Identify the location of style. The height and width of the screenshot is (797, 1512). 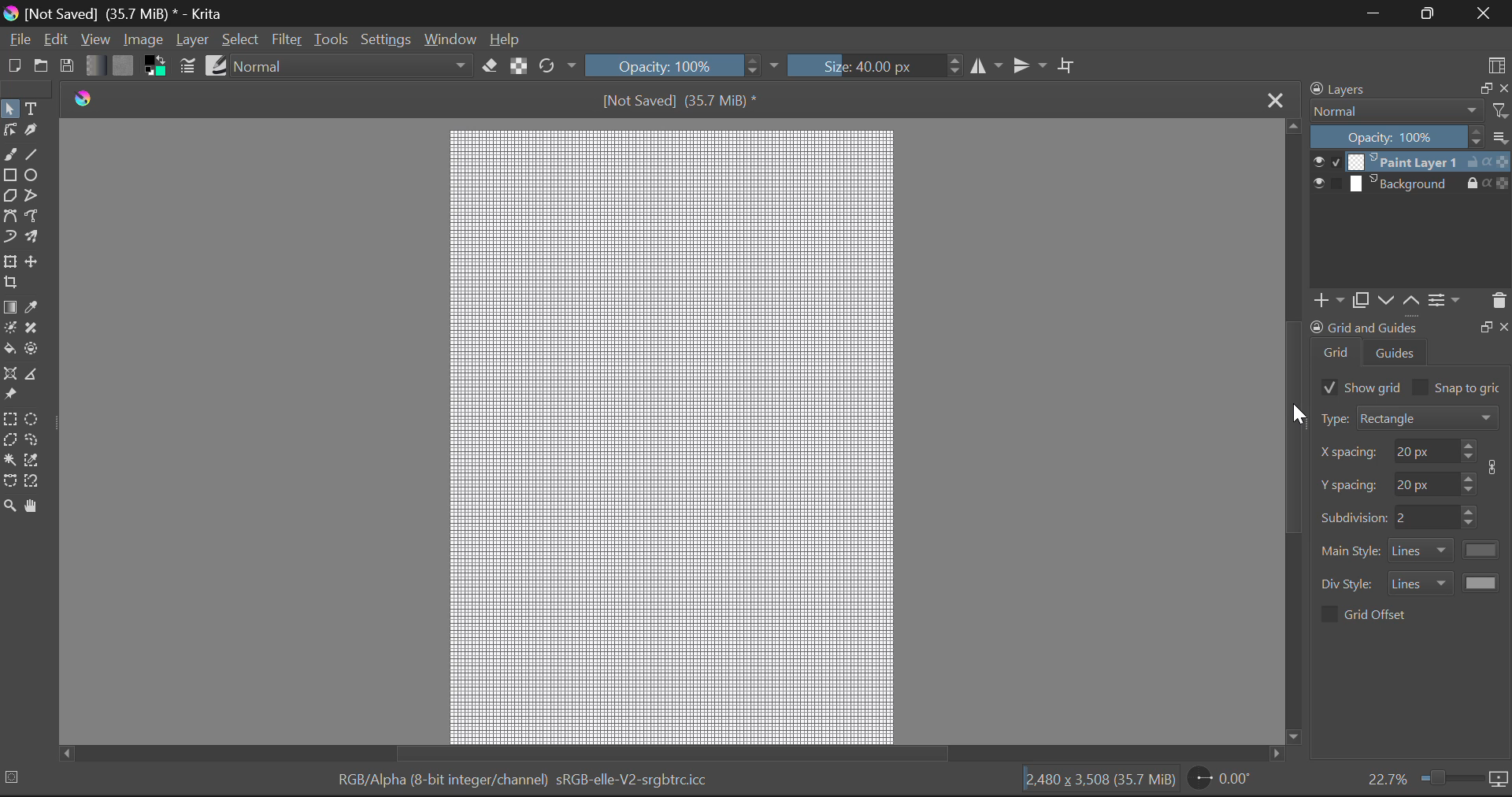
(1421, 582).